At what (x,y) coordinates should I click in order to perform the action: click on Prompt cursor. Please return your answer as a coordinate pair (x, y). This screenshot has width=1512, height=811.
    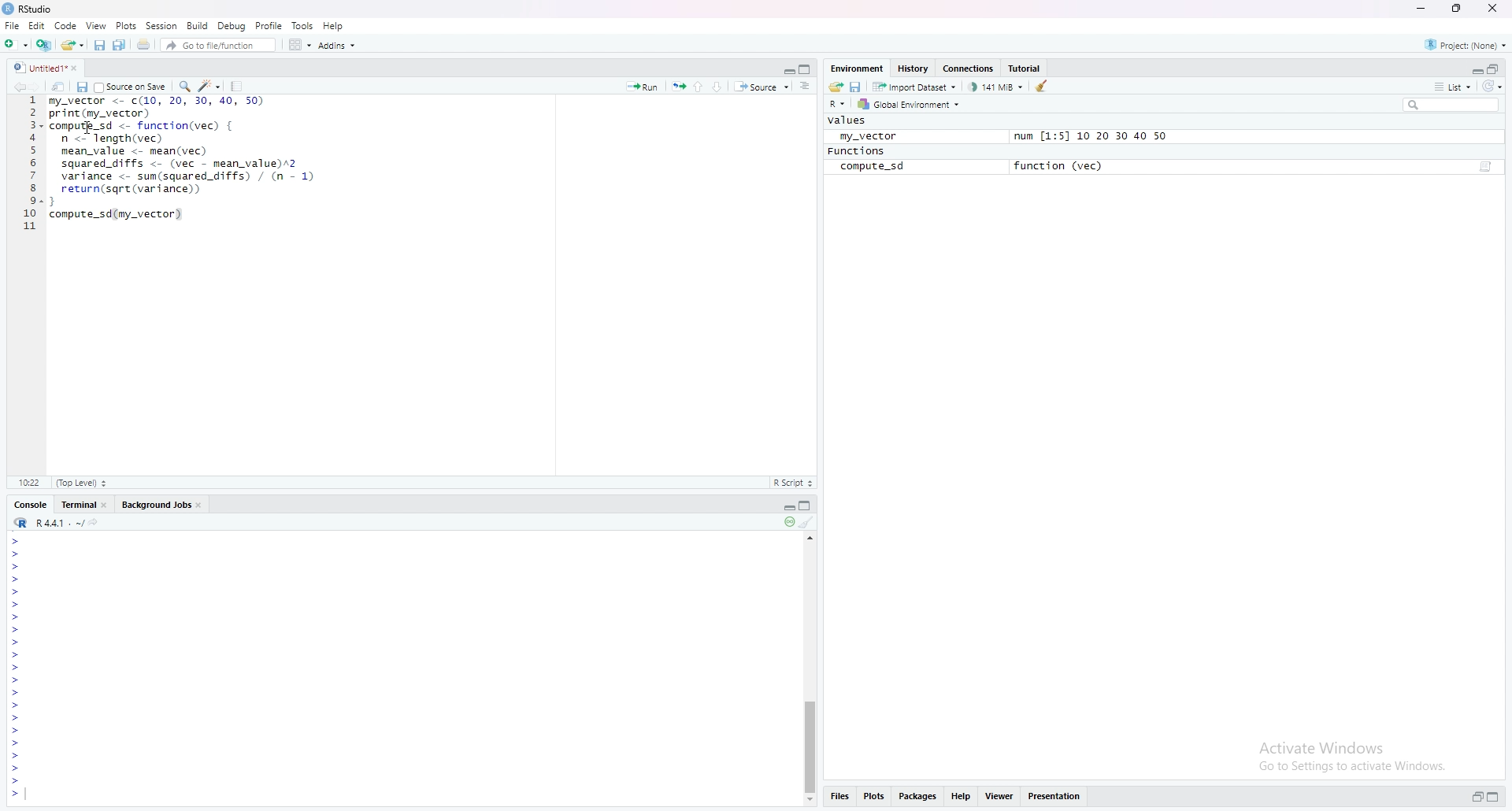
    Looking at the image, I should click on (16, 605).